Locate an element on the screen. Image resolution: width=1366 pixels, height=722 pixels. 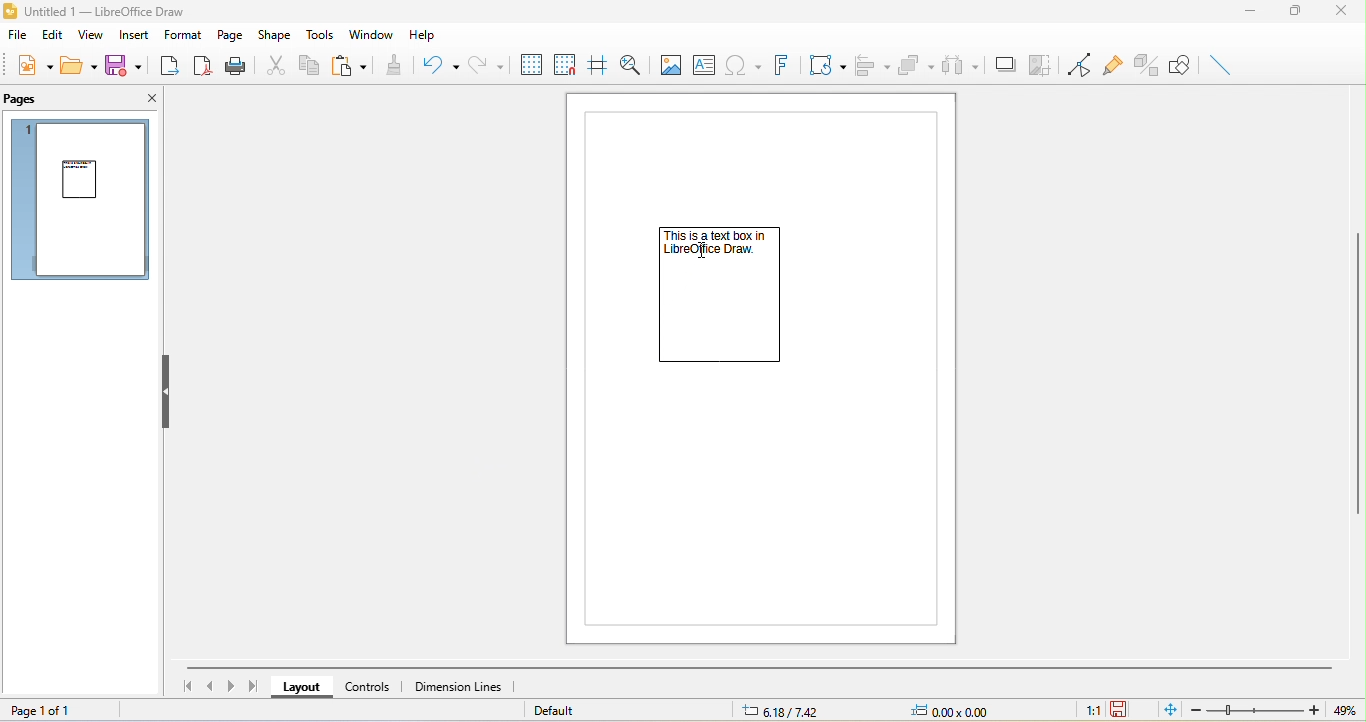
export is located at coordinates (173, 67).